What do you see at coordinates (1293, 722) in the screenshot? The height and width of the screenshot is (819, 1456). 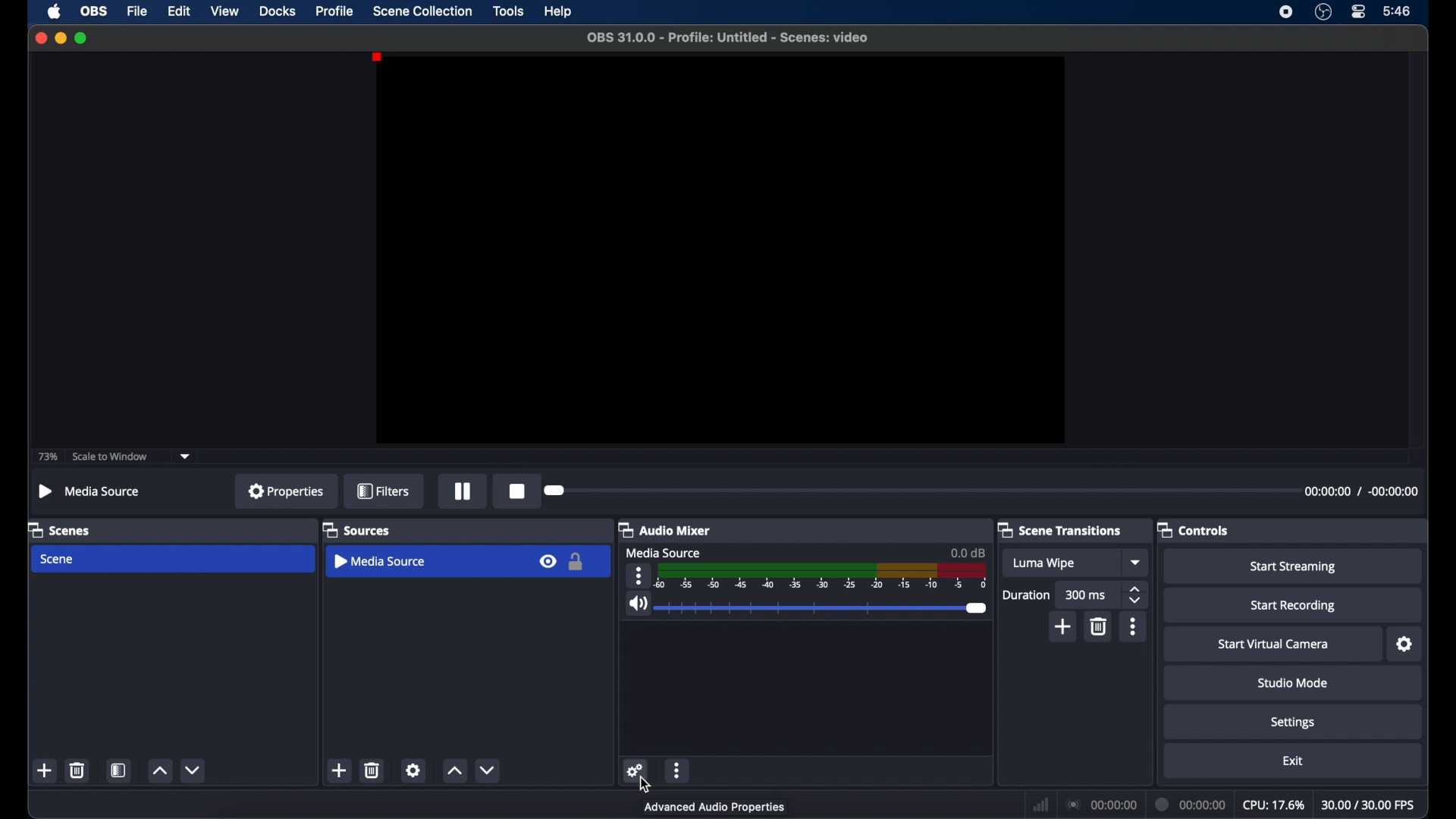 I see `settings` at bounding box center [1293, 722].